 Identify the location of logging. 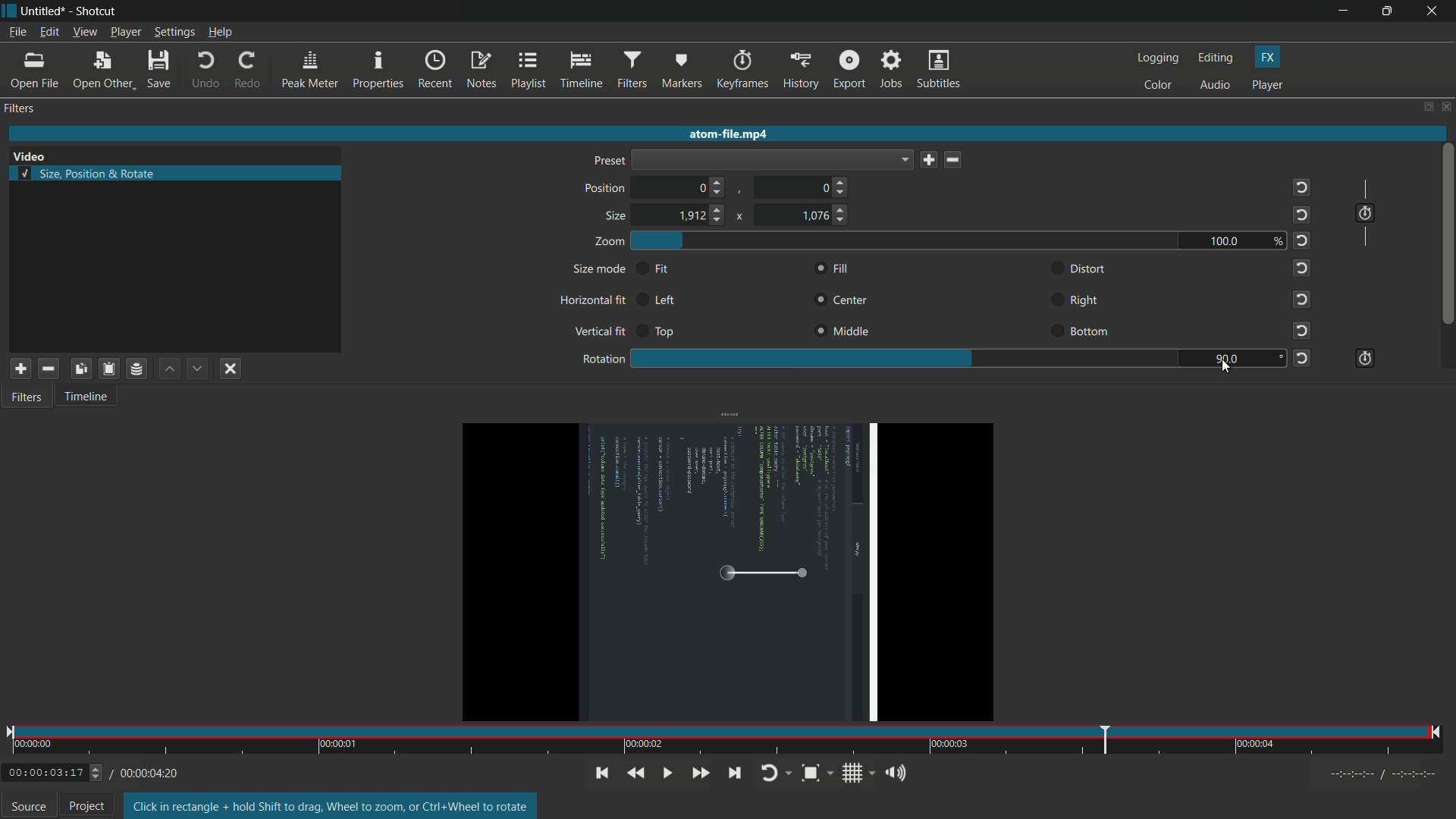
(1159, 58).